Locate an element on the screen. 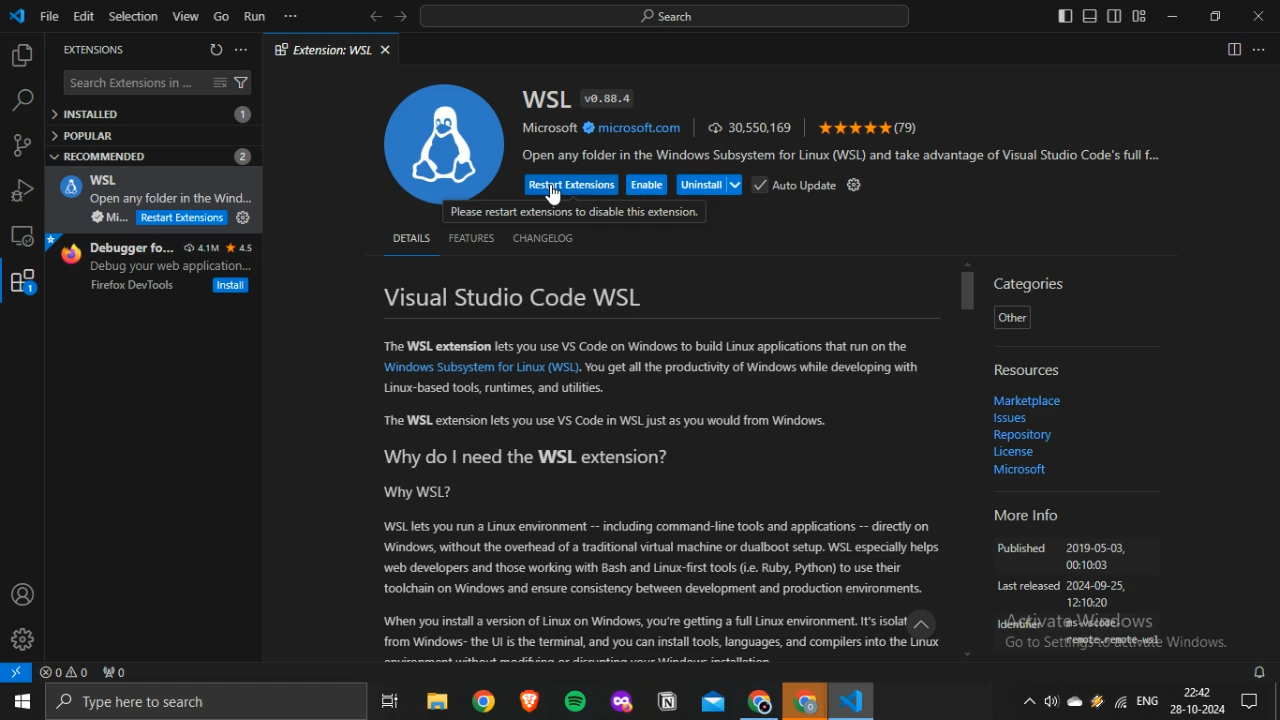 This screenshot has height=720, width=1280. Extension: WSL is located at coordinates (323, 49).